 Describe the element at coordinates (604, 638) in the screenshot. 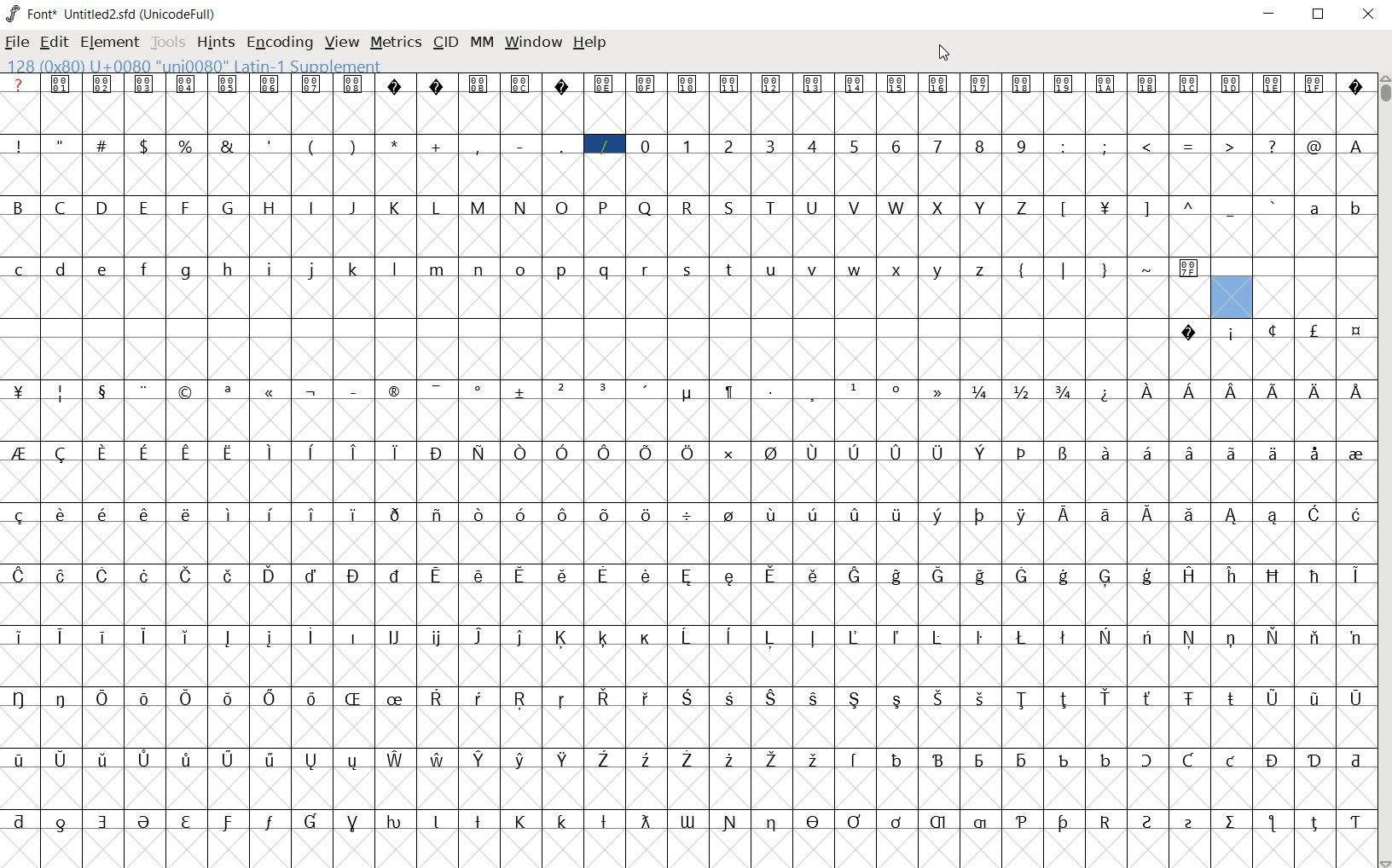

I see `glyph` at that location.